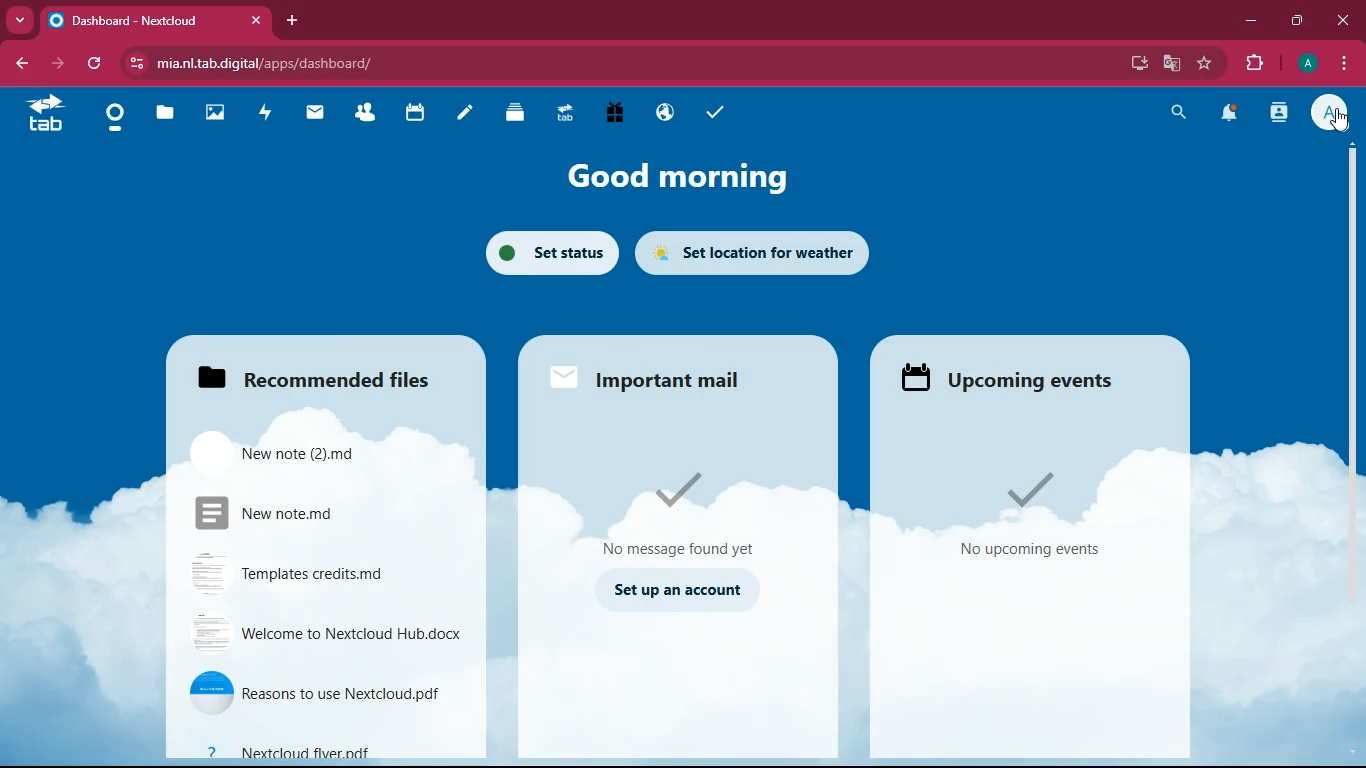 This screenshot has height=768, width=1366. Describe the element at coordinates (661, 112) in the screenshot. I see `public` at that location.